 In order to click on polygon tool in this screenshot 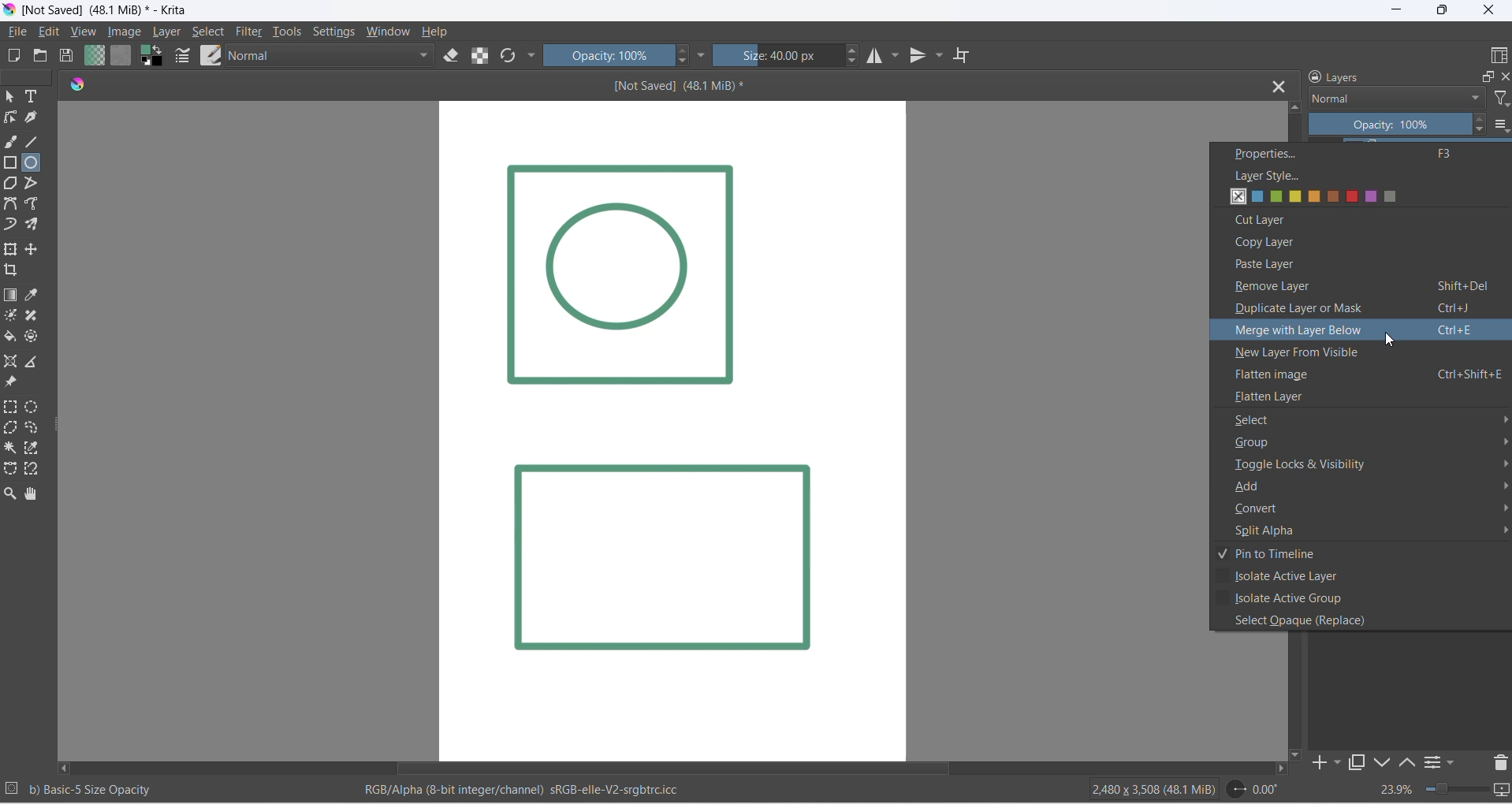, I will do `click(13, 184)`.